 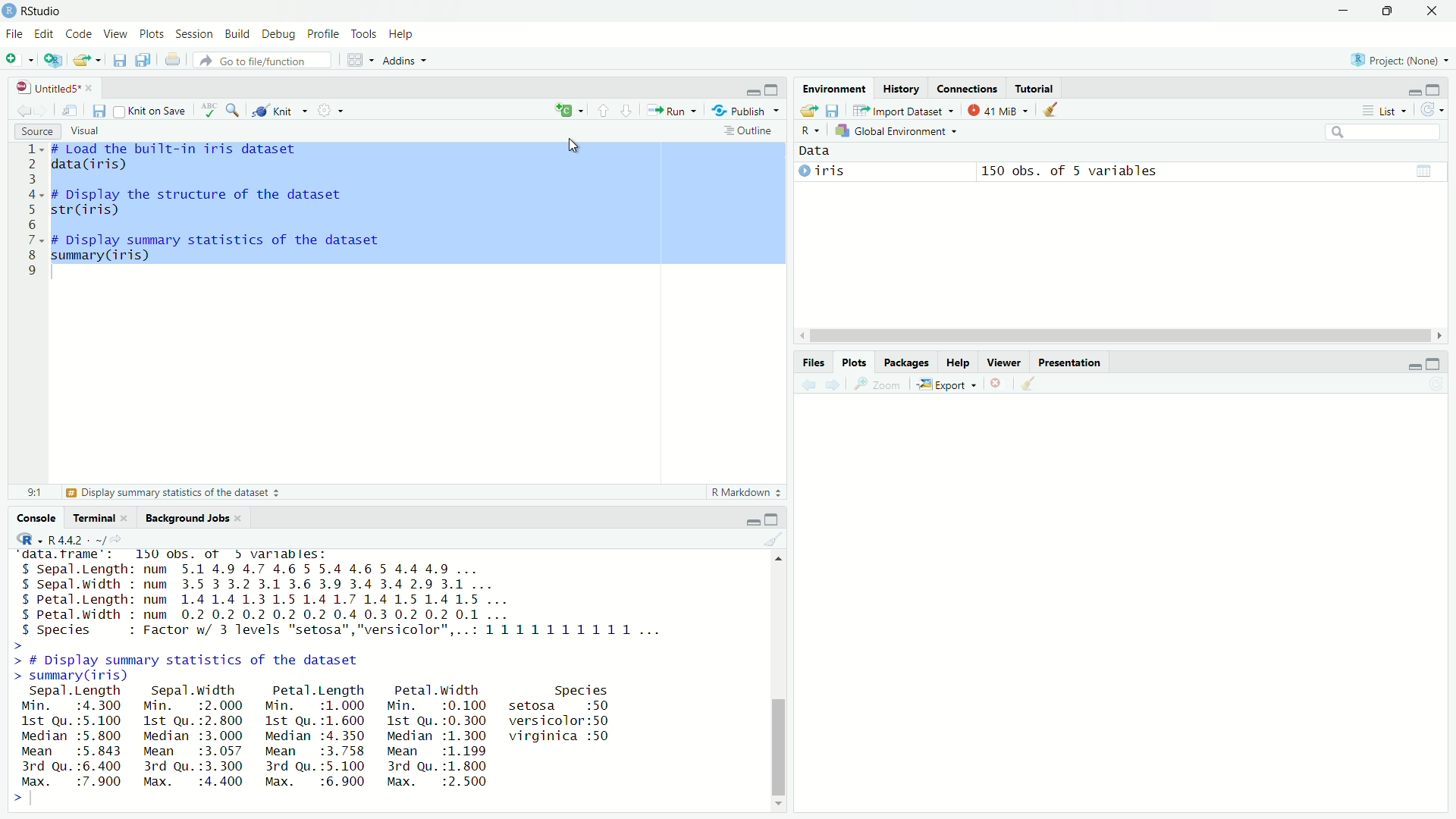 I want to click on Knit, so click(x=279, y=111).